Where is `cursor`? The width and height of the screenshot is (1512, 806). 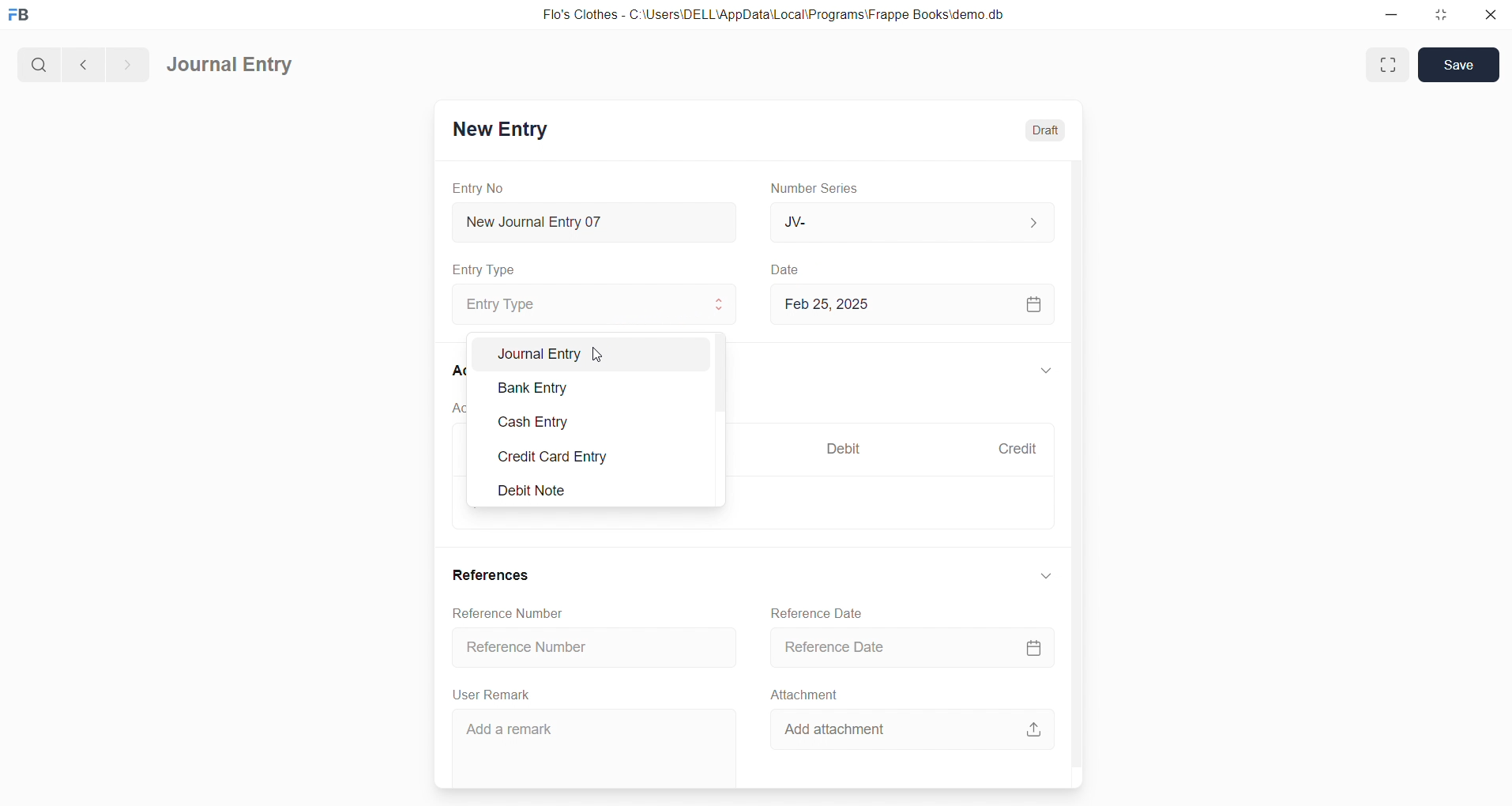
cursor is located at coordinates (600, 358).